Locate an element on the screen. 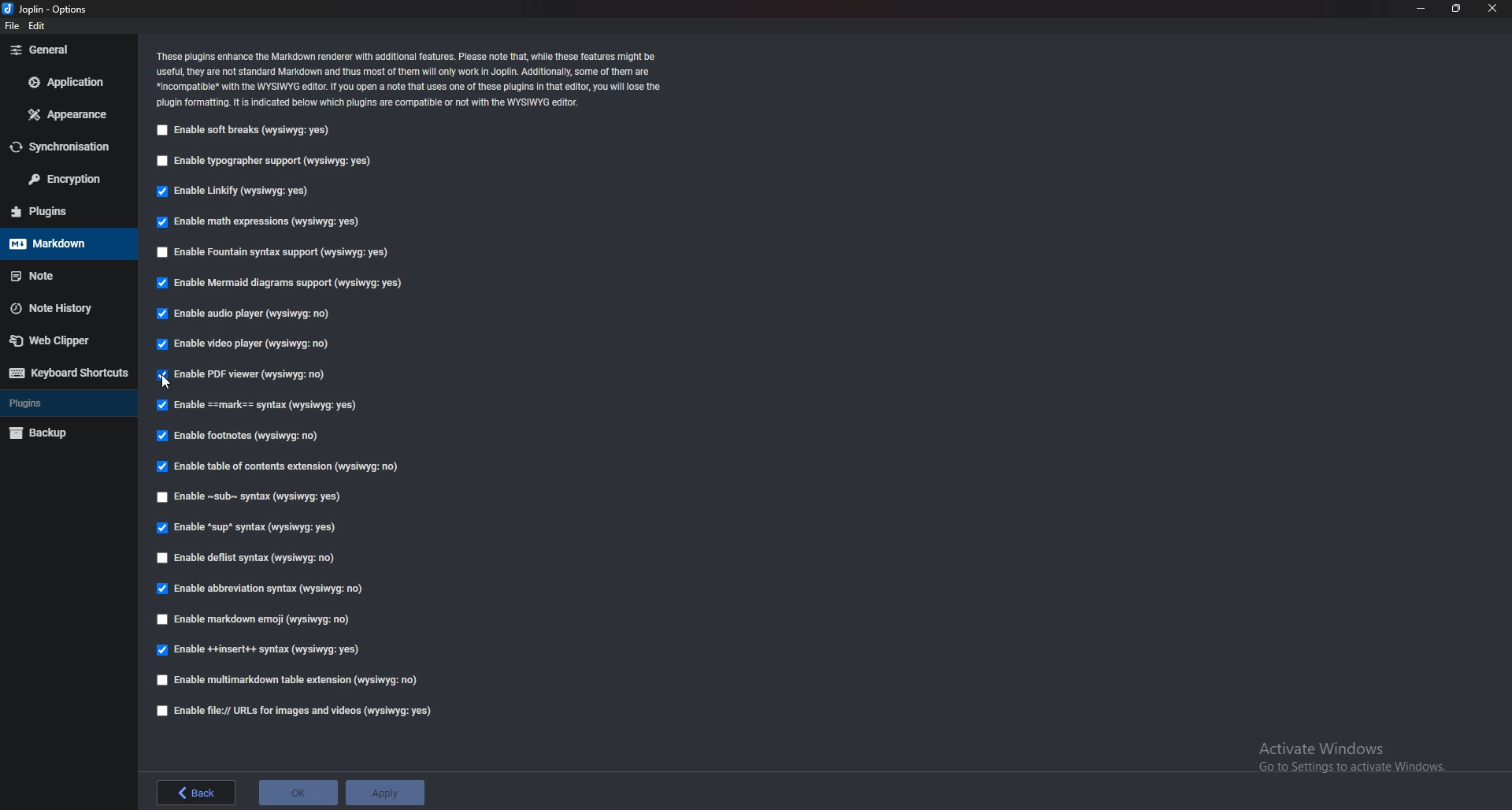 This screenshot has width=1512, height=810. Encryption is located at coordinates (63, 179).